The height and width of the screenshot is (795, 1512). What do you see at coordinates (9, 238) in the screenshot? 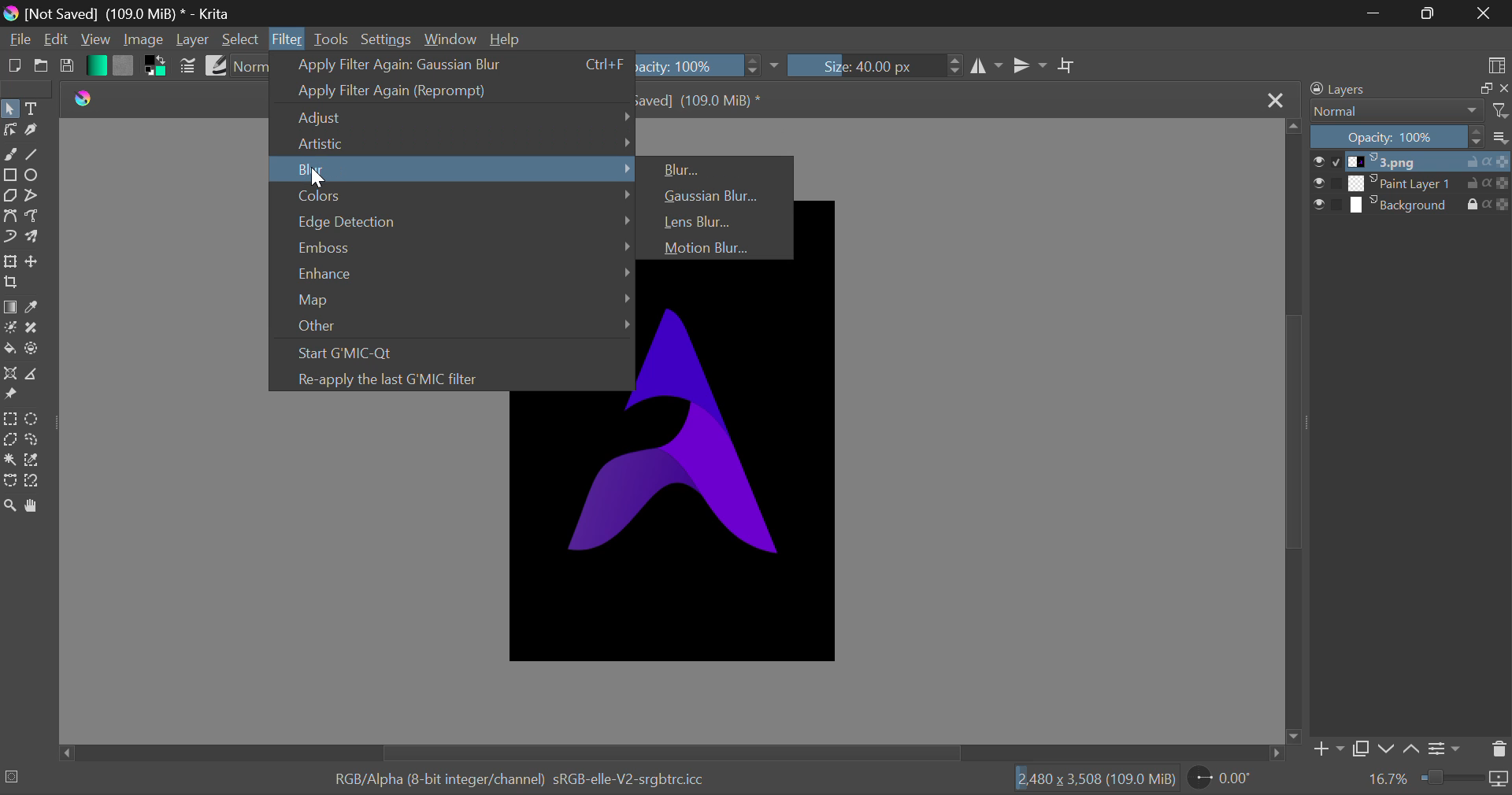
I see `Dynamic Brush` at bounding box center [9, 238].